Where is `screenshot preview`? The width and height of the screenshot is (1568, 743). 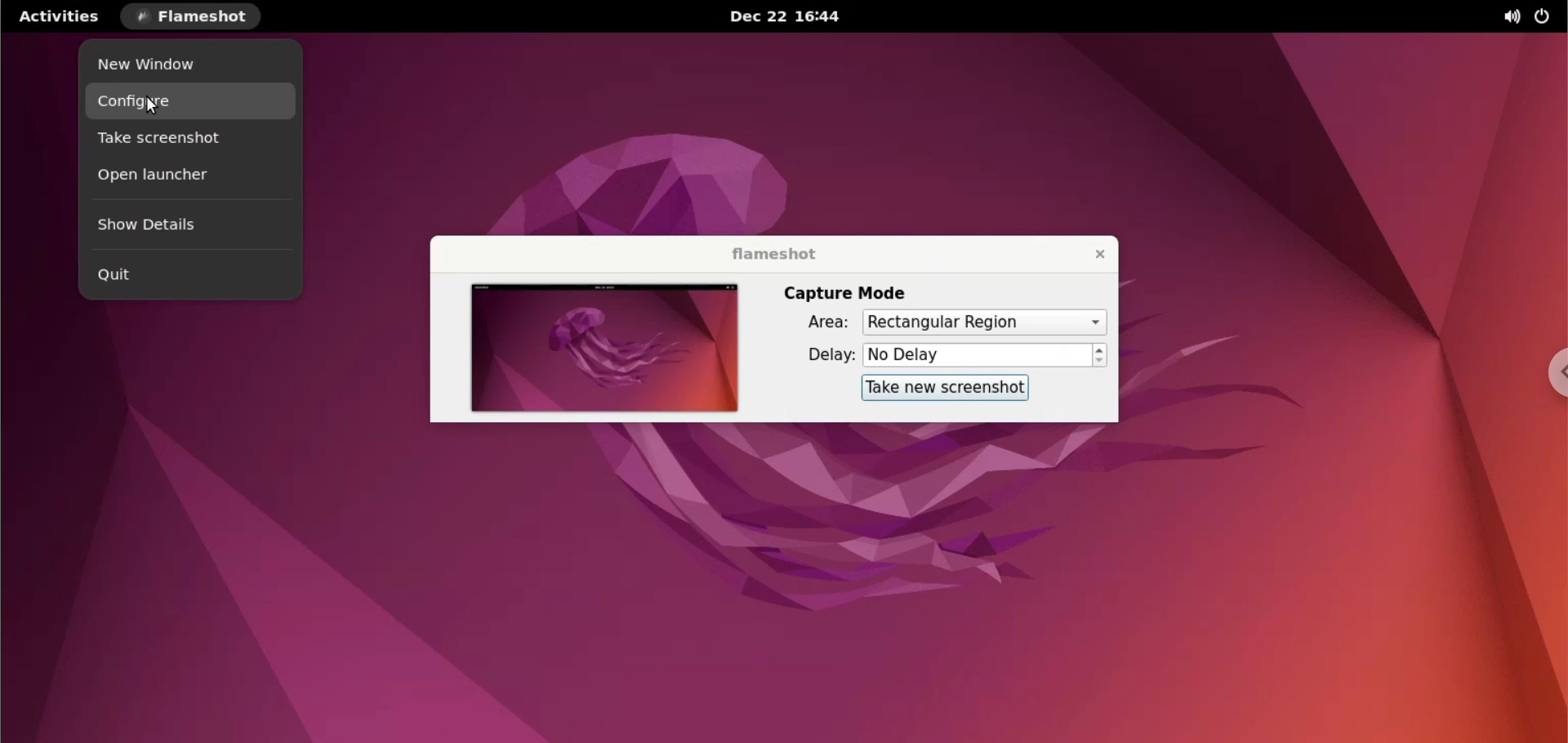 screenshot preview is located at coordinates (601, 349).